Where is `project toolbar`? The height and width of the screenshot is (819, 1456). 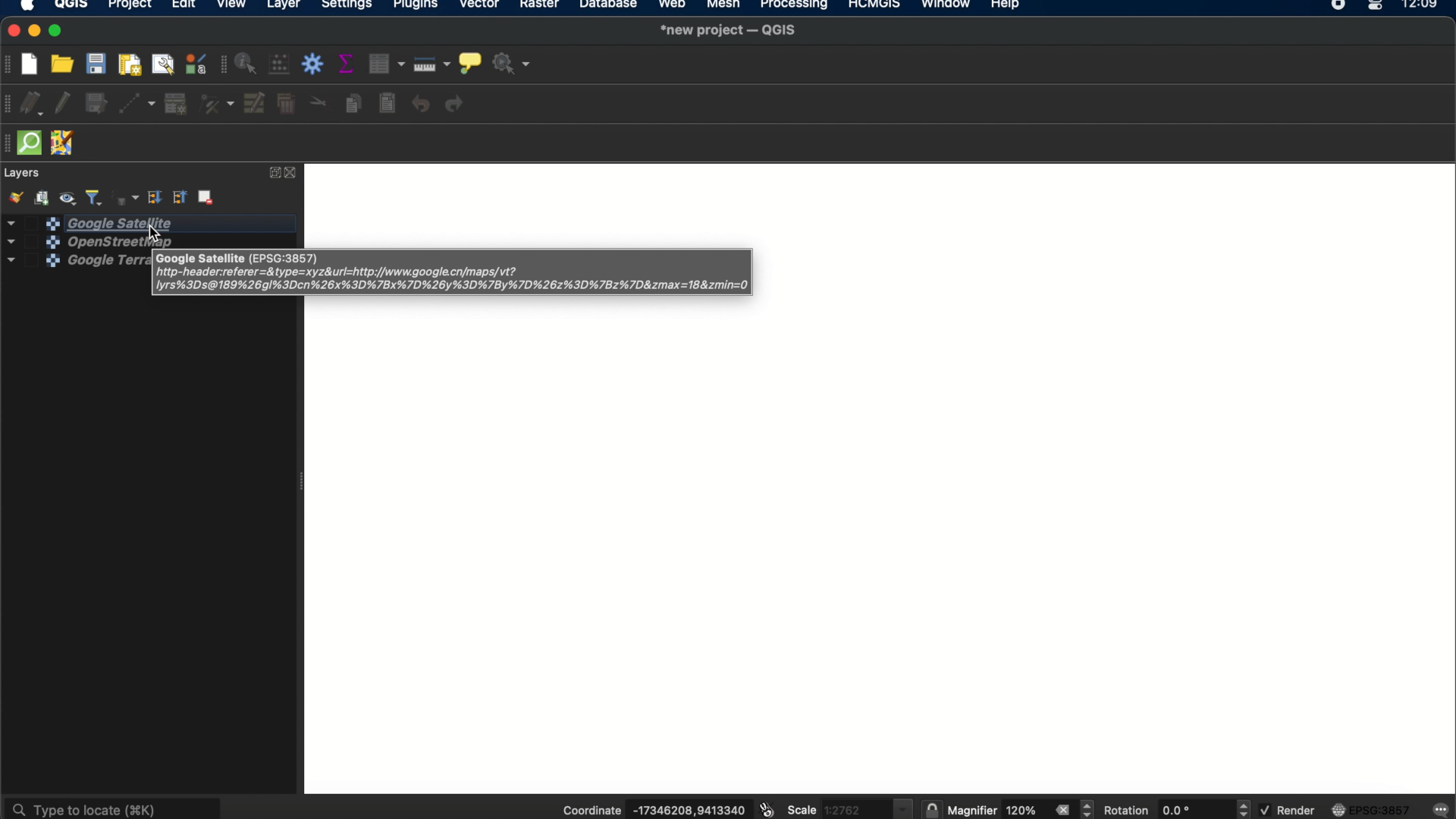
project toolbar is located at coordinates (9, 64).